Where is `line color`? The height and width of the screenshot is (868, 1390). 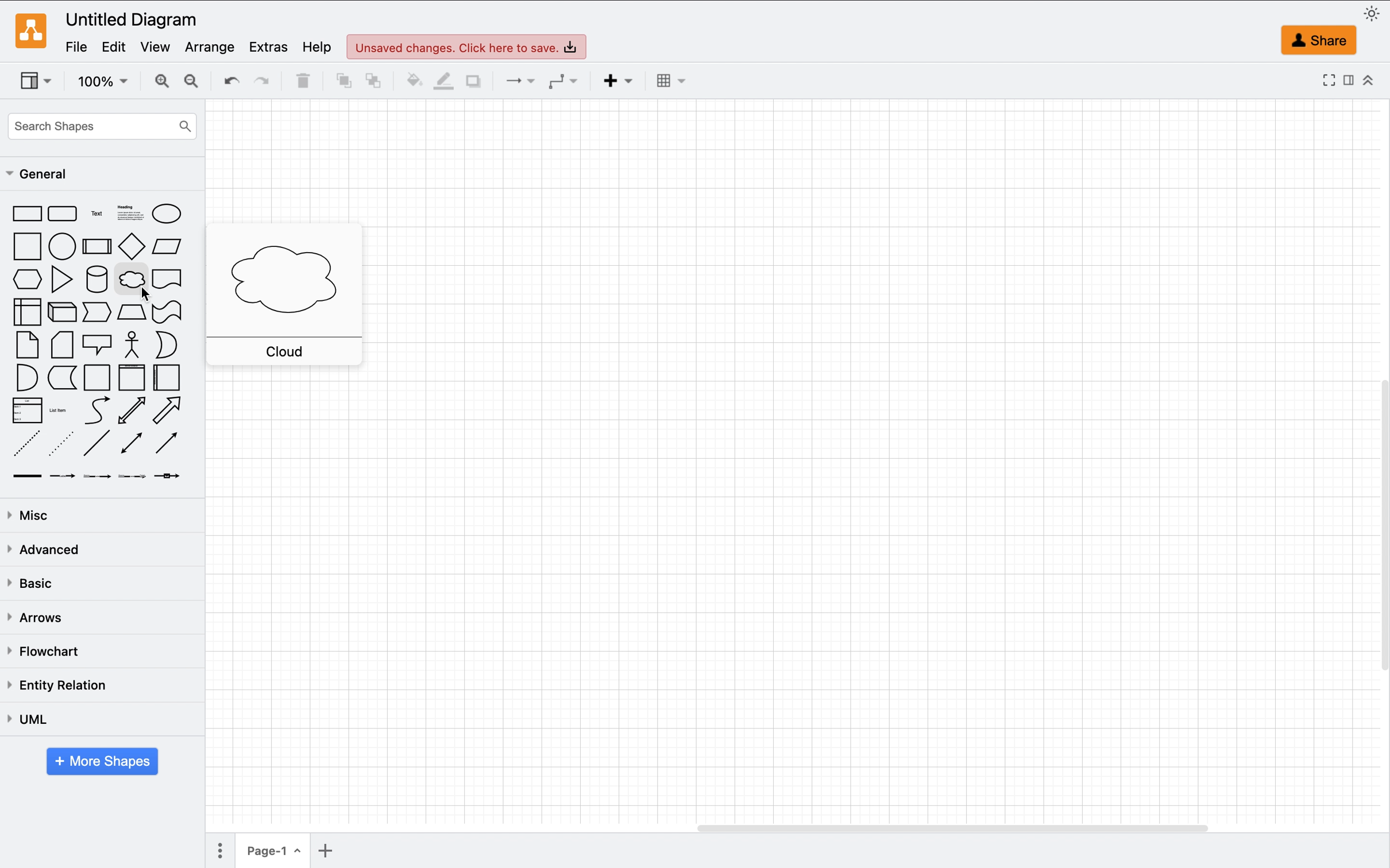 line color is located at coordinates (442, 83).